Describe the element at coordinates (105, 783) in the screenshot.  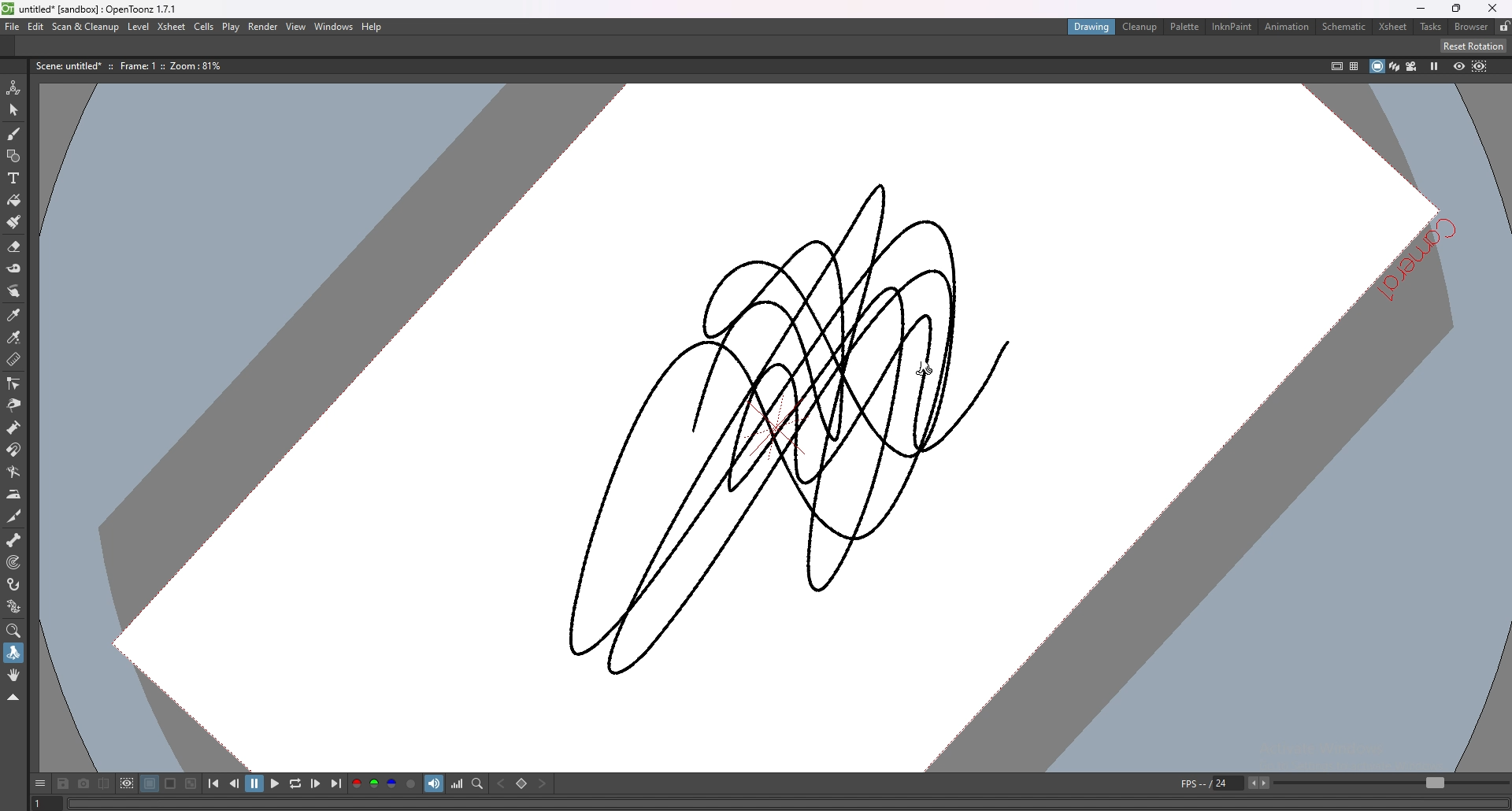
I see `compare to snapshot` at that location.